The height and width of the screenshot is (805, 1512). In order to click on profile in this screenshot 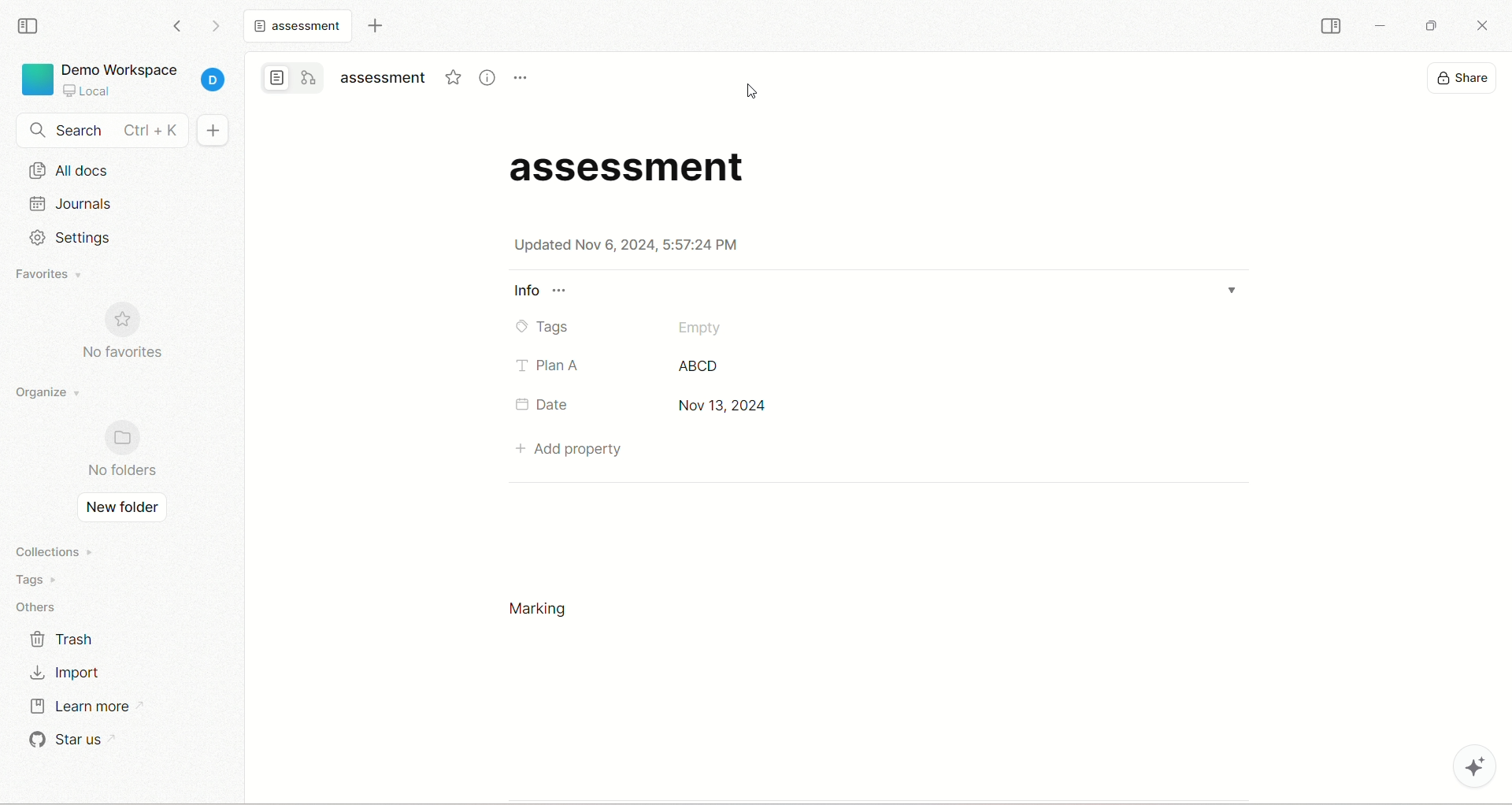, I will do `click(215, 76)`.